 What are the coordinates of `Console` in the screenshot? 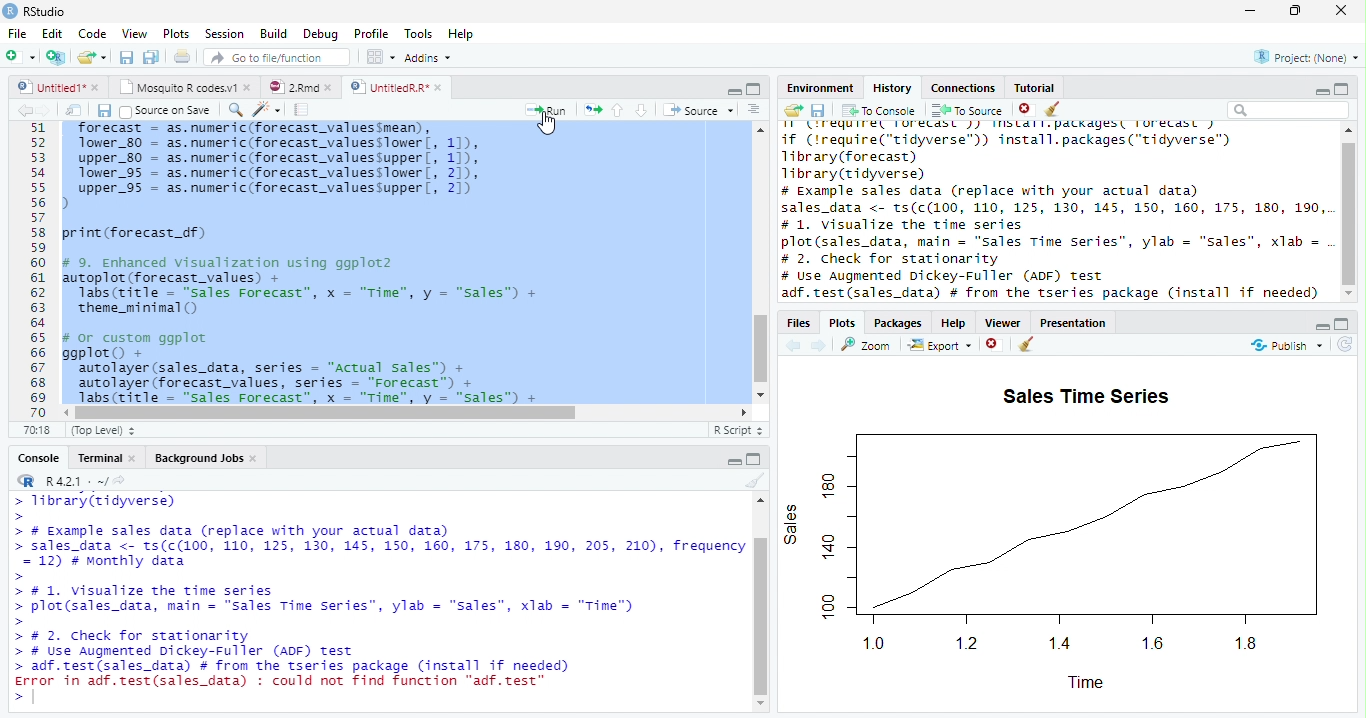 It's located at (40, 457).